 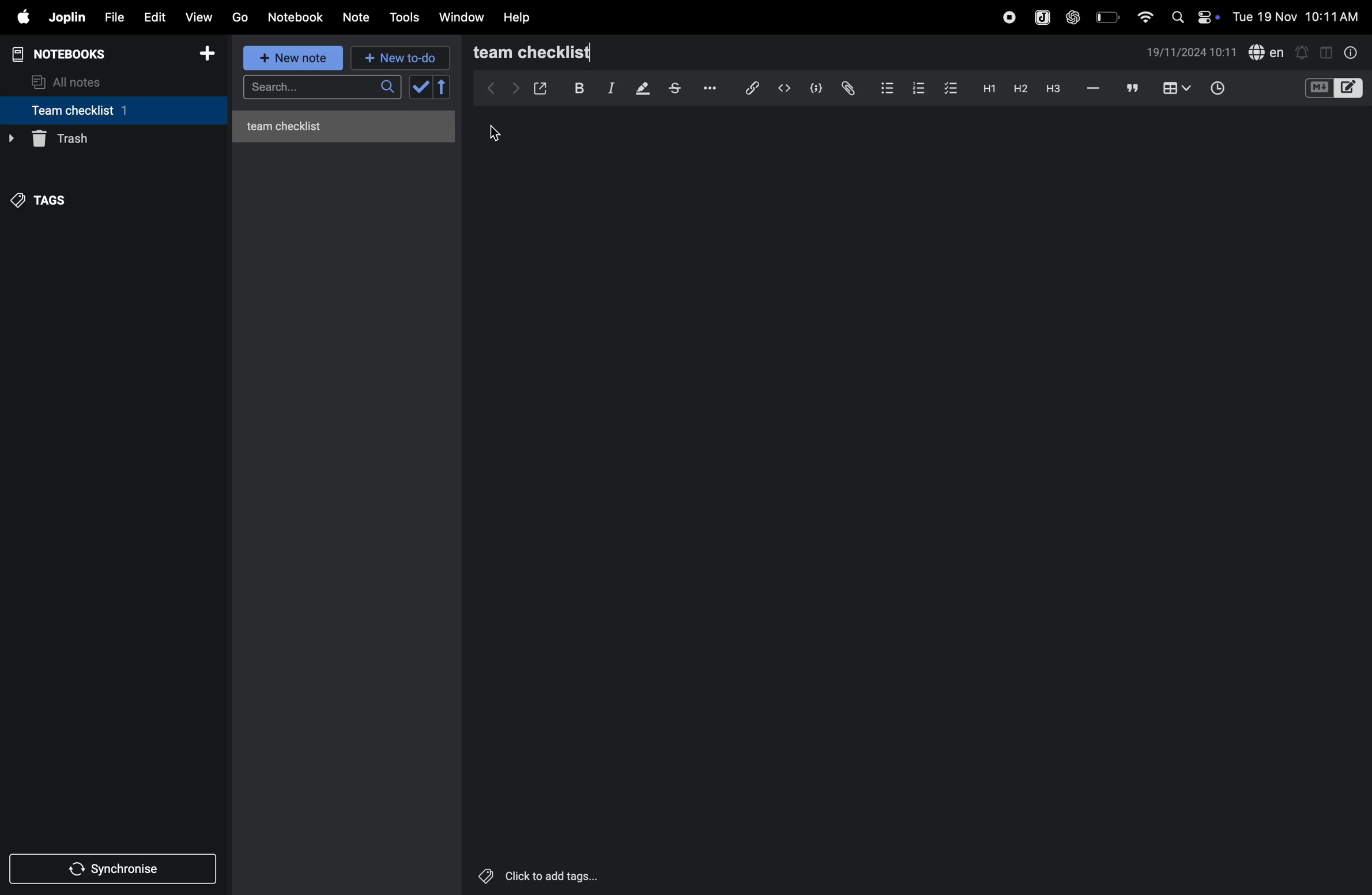 What do you see at coordinates (916, 87) in the screenshot?
I see `numbered list` at bounding box center [916, 87].